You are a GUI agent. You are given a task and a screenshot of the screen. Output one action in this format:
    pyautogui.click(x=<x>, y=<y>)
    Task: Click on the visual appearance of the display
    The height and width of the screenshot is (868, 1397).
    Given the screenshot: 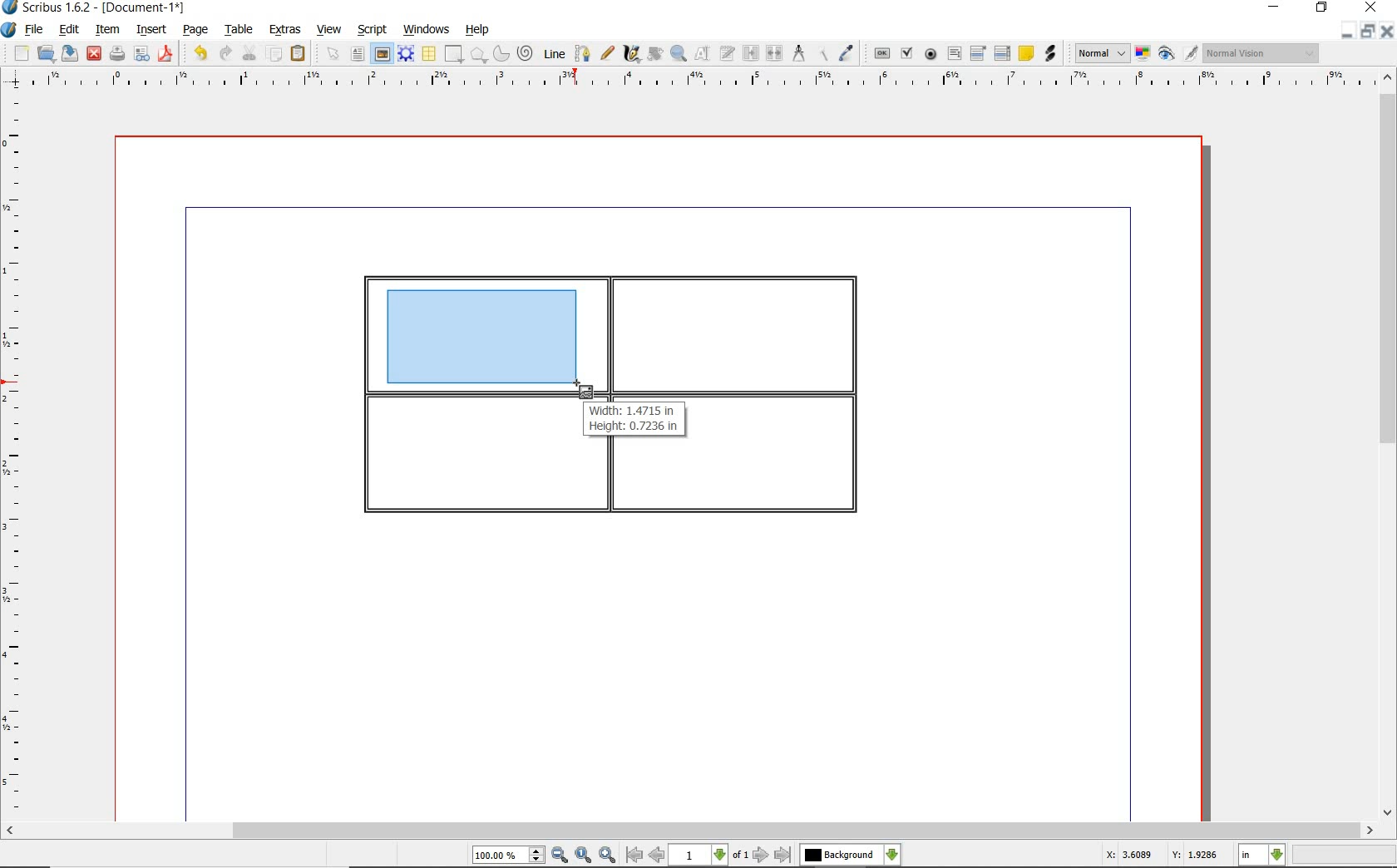 What is the action you would take?
    pyautogui.click(x=1259, y=53)
    